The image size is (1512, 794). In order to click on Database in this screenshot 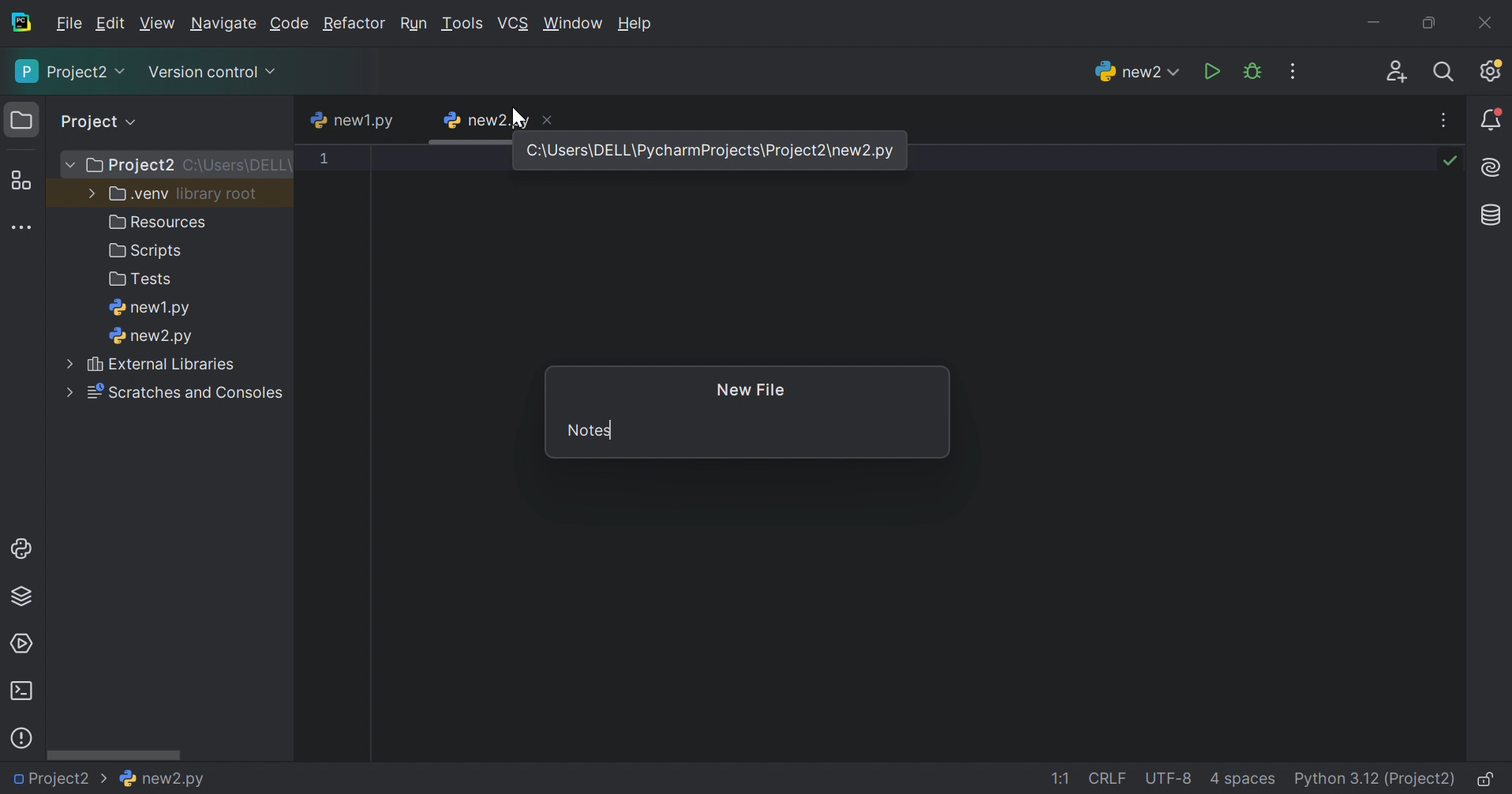, I will do `click(1488, 215)`.